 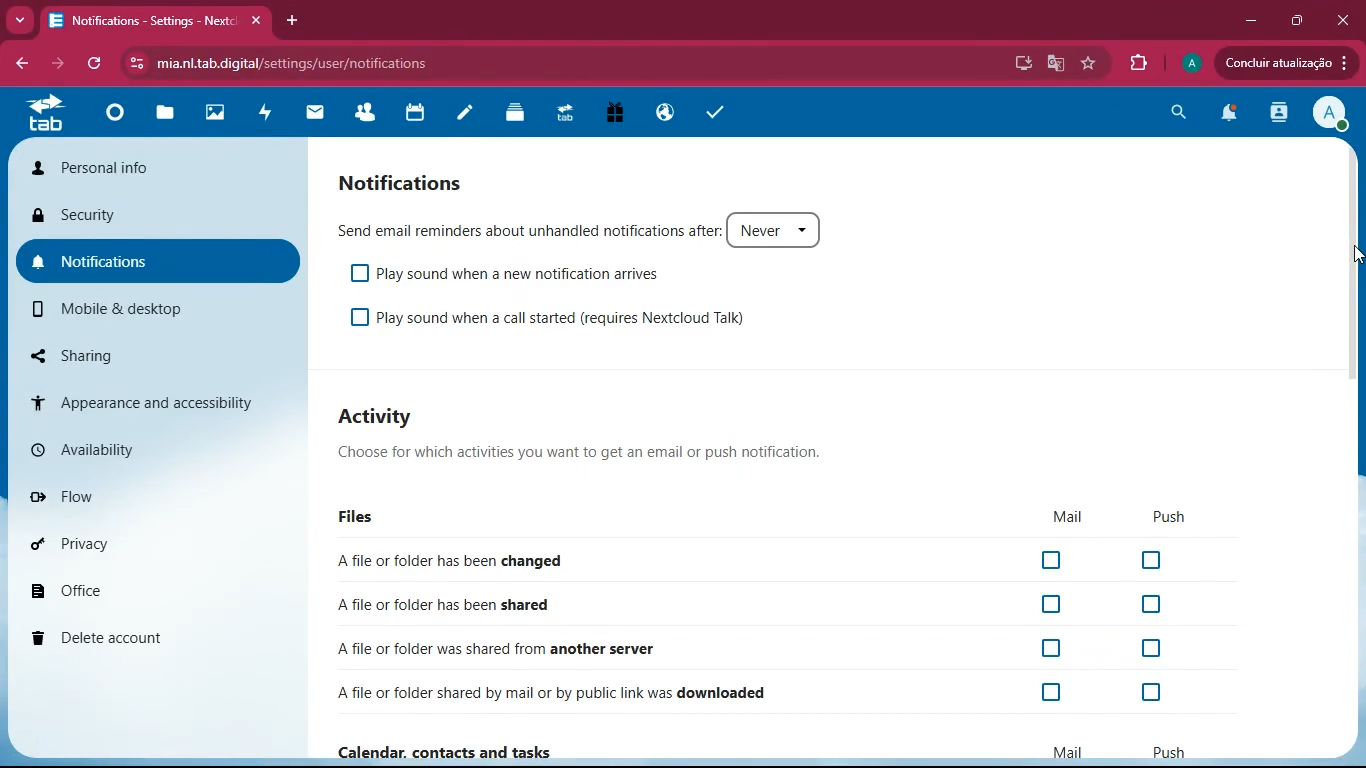 What do you see at coordinates (569, 116) in the screenshot?
I see `tab` at bounding box center [569, 116].